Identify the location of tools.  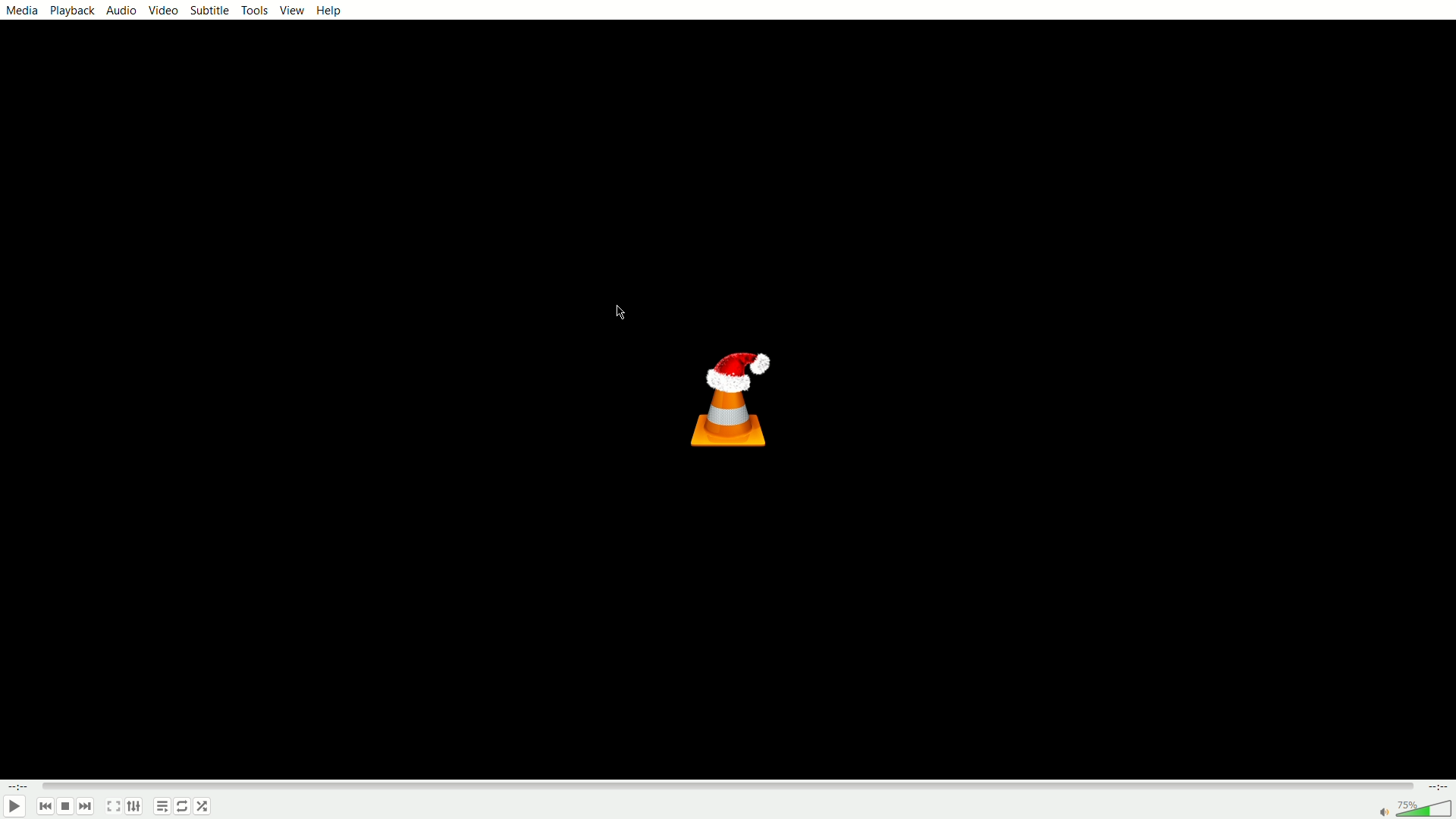
(256, 11).